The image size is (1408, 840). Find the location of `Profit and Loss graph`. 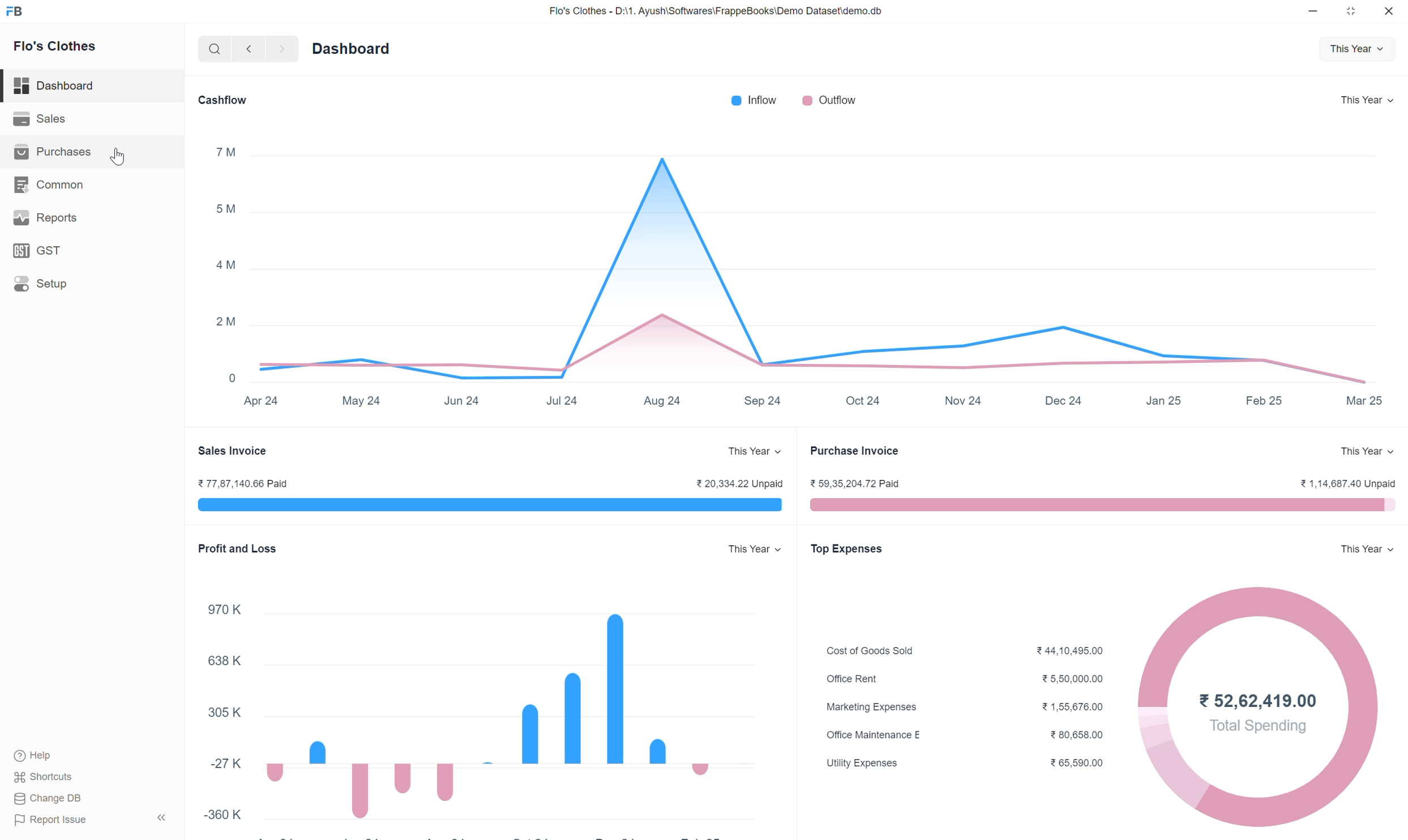

Profit and Loss graph is located at coordinates (513, 706).